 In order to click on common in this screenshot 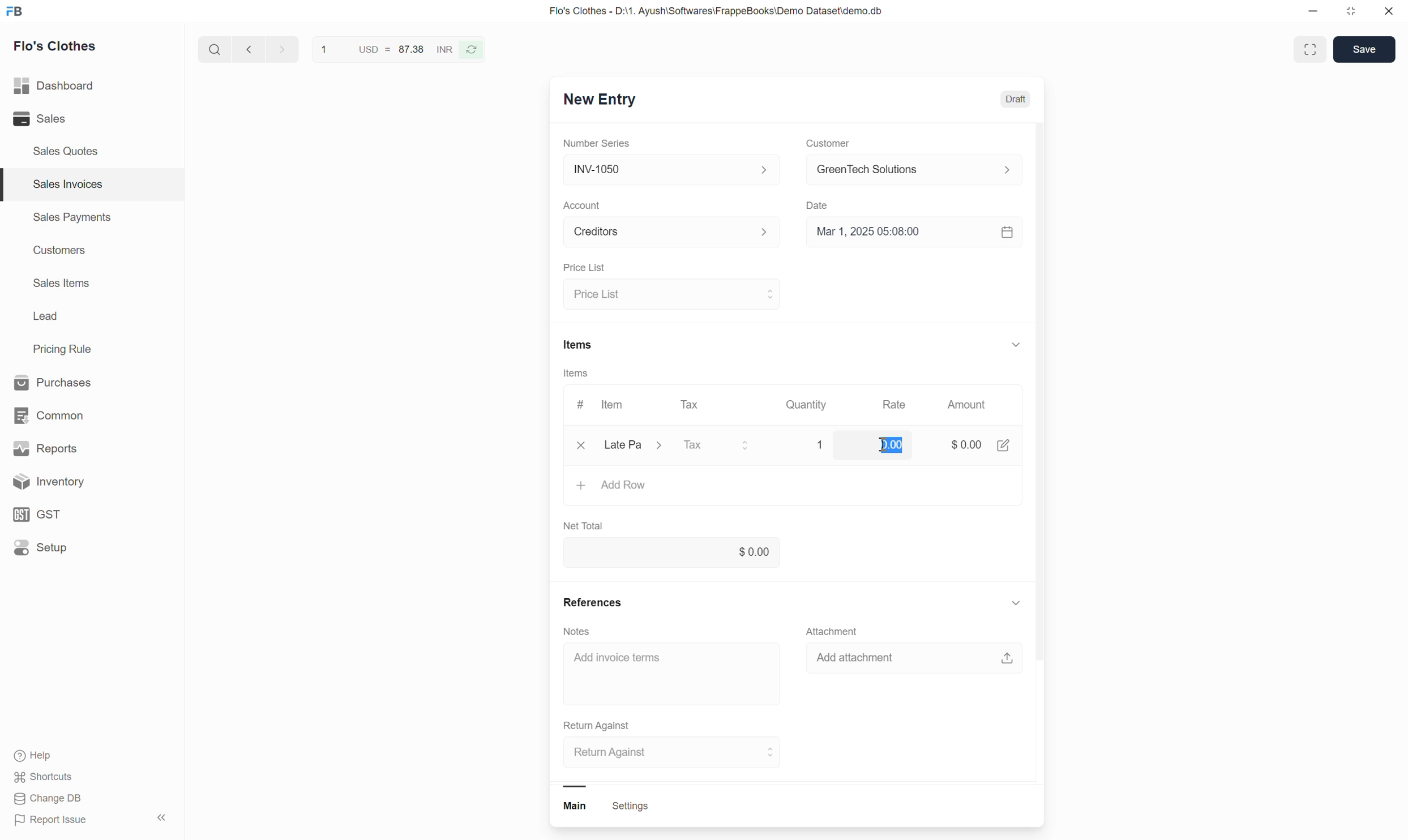, I will do `click(74, 413)`.